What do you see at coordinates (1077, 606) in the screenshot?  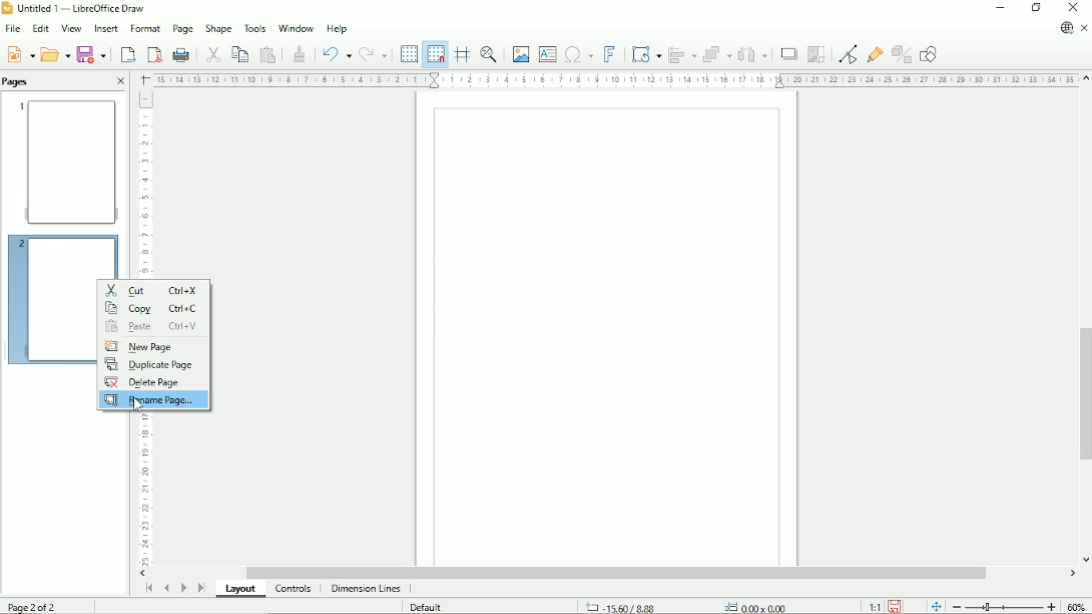 I see `Zoom factor` at bounding box center [1077, 606].